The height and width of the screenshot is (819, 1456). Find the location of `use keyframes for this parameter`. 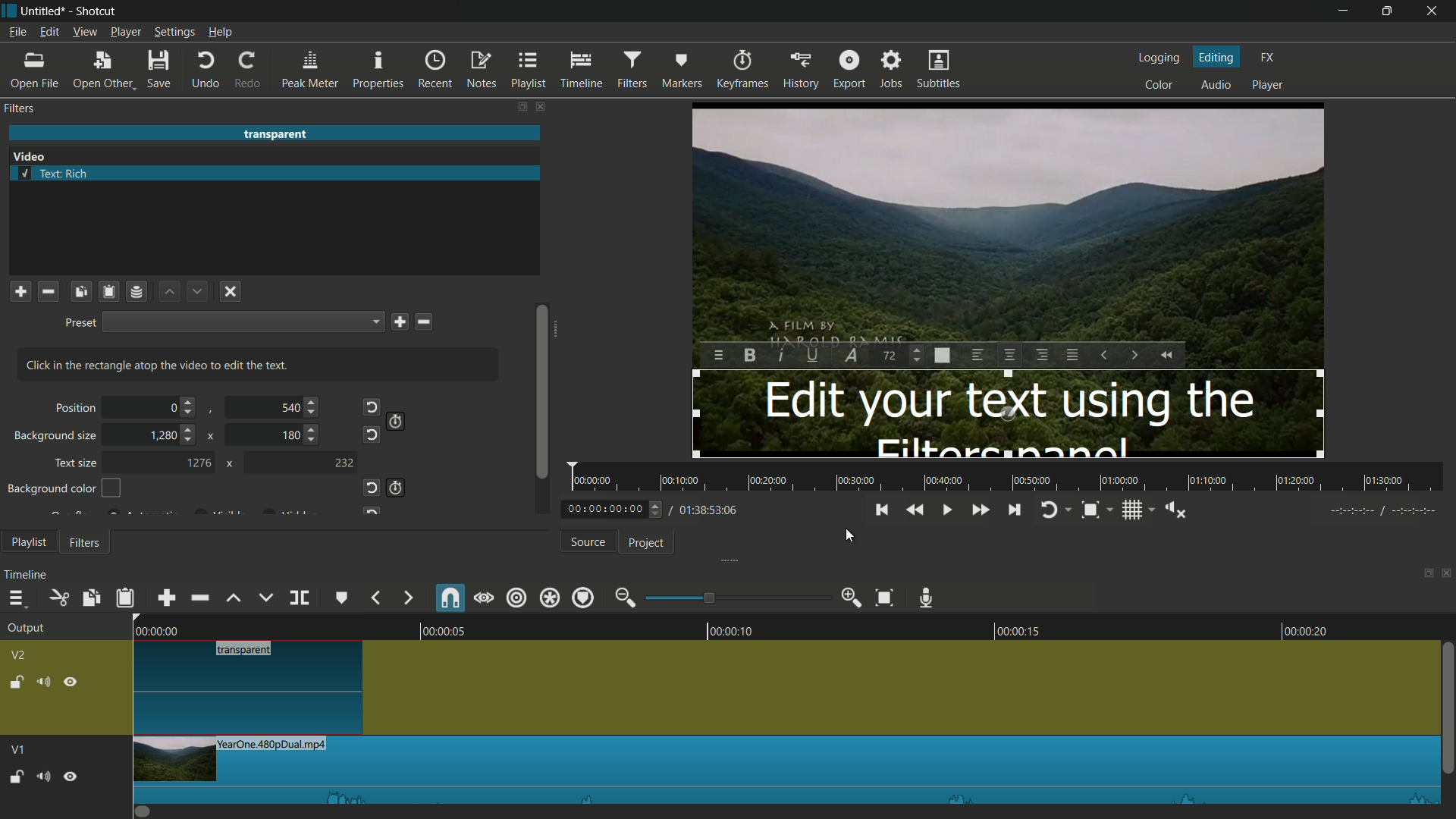

use keyframes for this parameter is located at coordinates (398, 488).